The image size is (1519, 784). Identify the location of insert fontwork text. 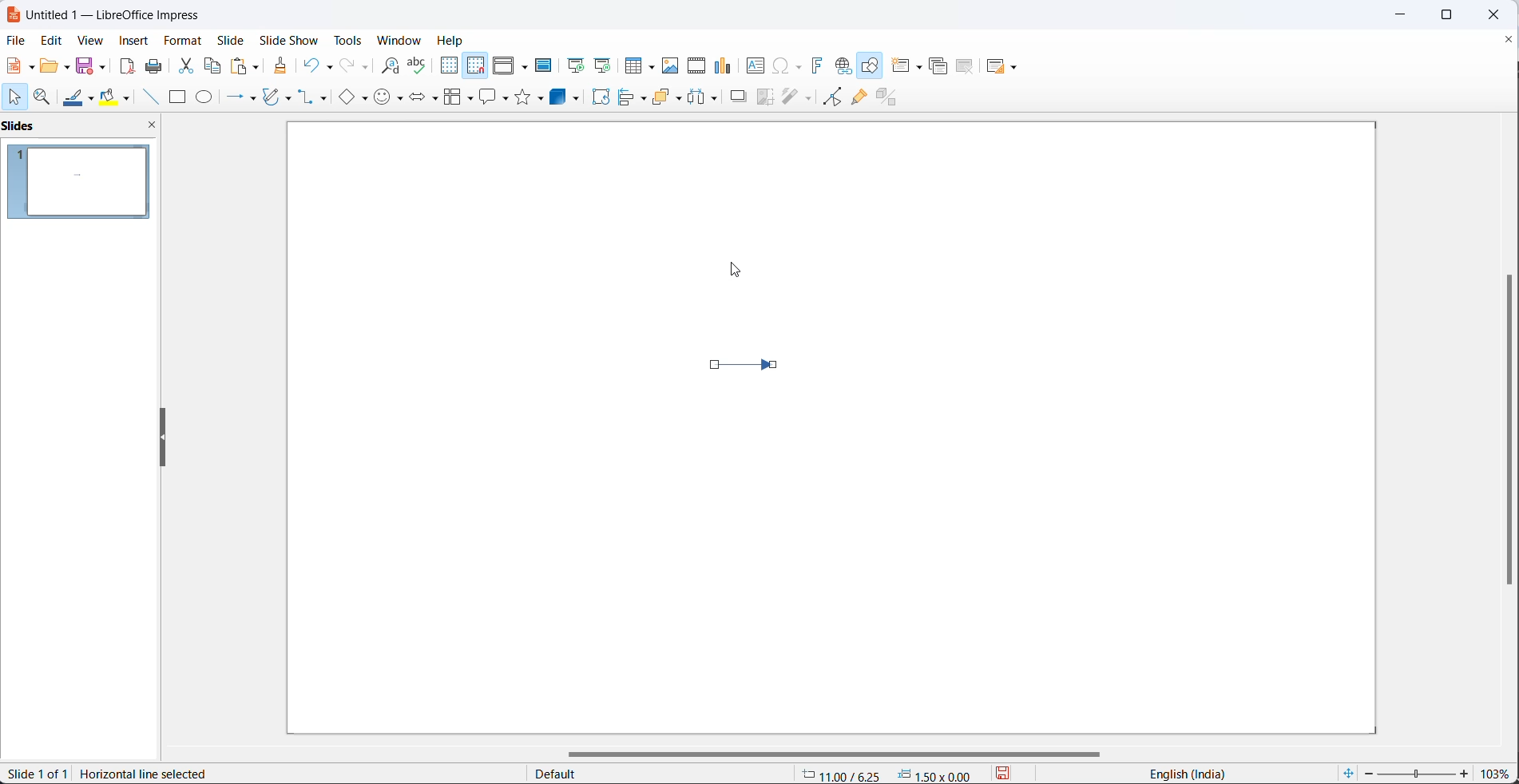
(816, 65).